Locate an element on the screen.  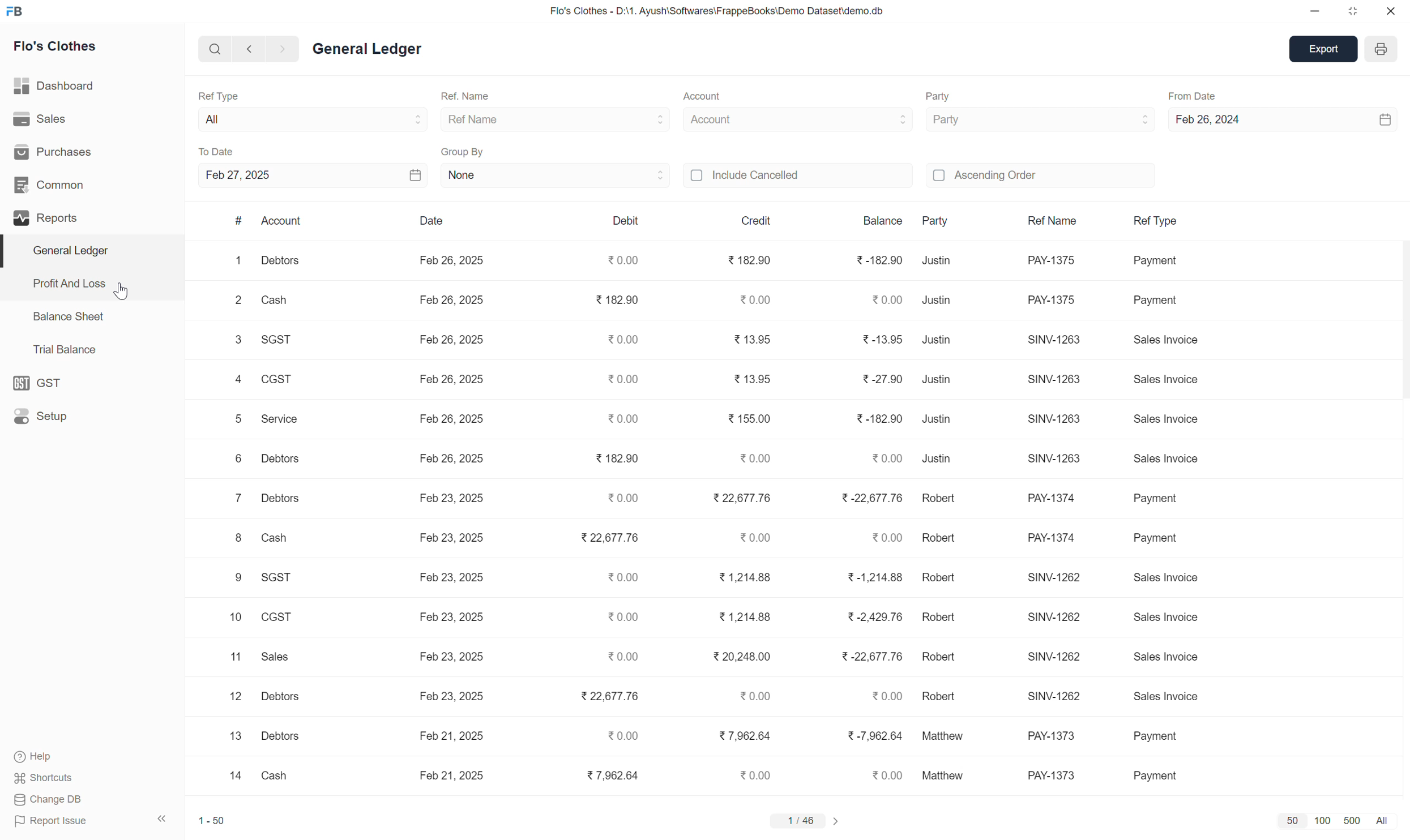
Ref Type dropdown is located at coordinates (375, 122).